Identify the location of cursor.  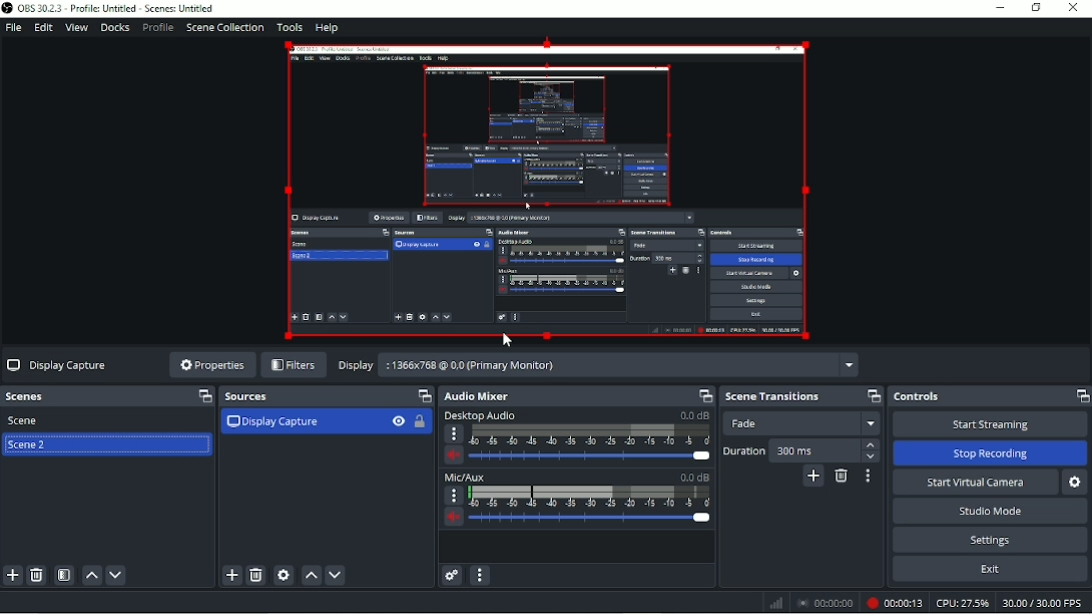
(508, 340).